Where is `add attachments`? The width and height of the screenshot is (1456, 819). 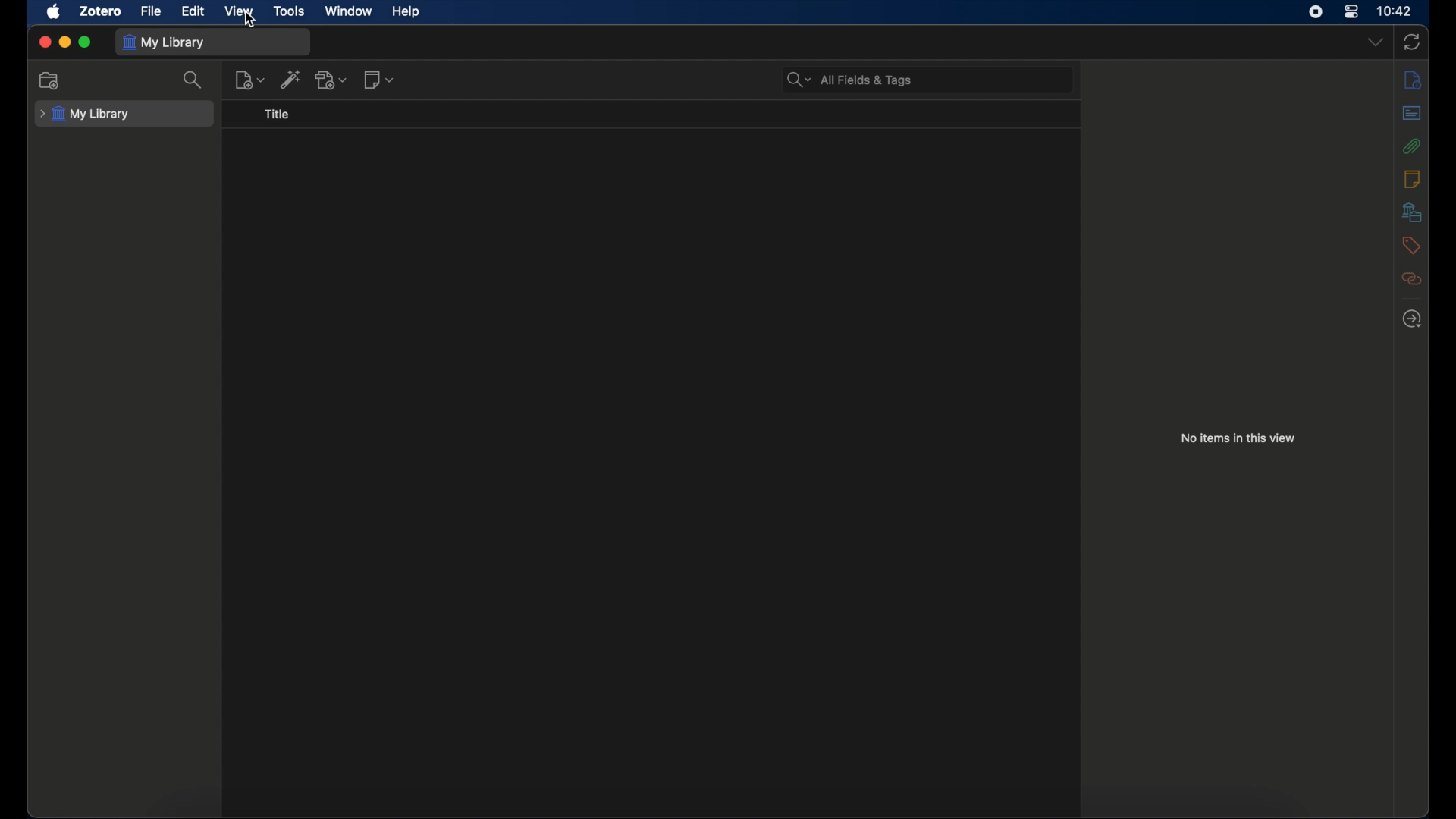
add attachments is located at coordinates (331, 80).